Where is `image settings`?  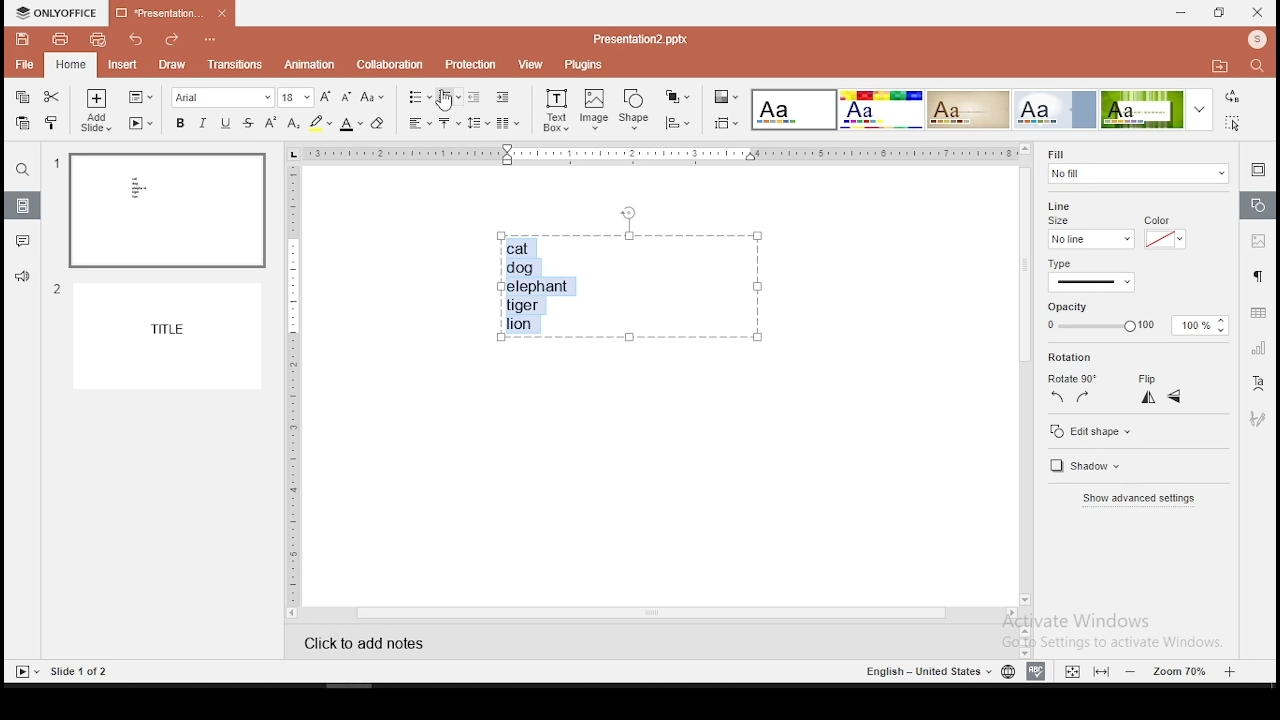
image settings is located at coordinates (1258, 240).